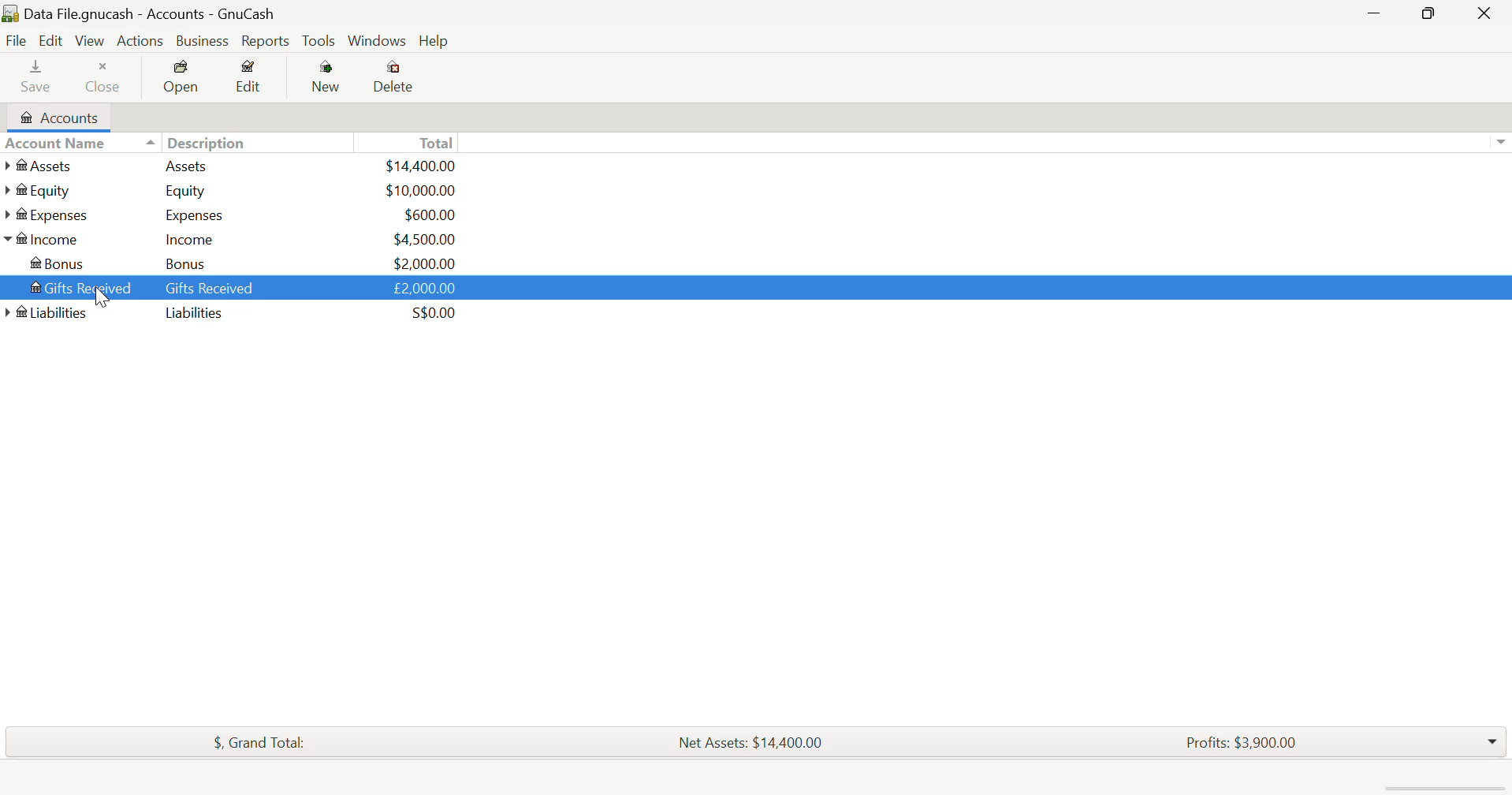  I want to click on New, so click(328, 80).